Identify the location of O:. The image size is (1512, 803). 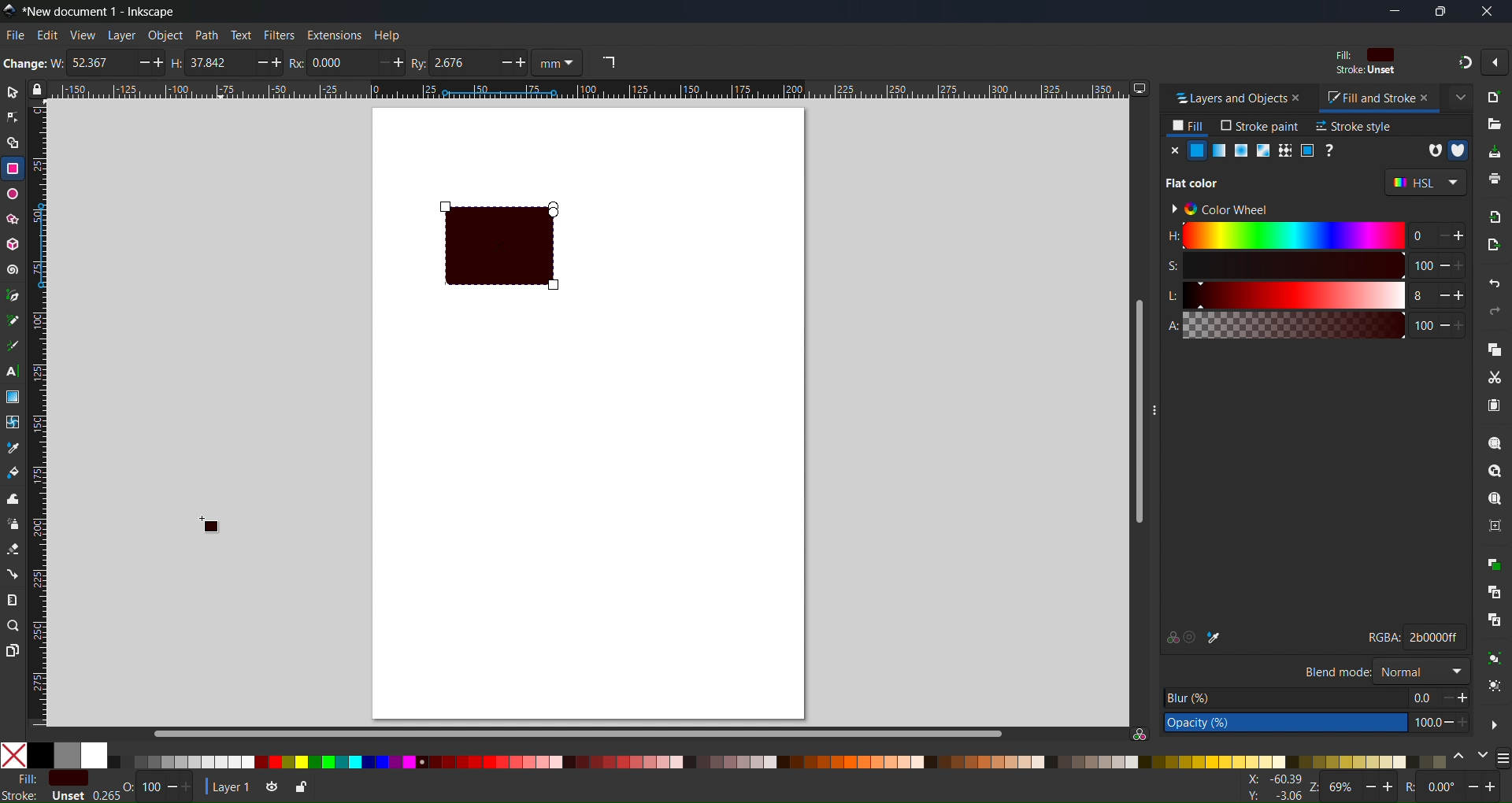
(130, 787).